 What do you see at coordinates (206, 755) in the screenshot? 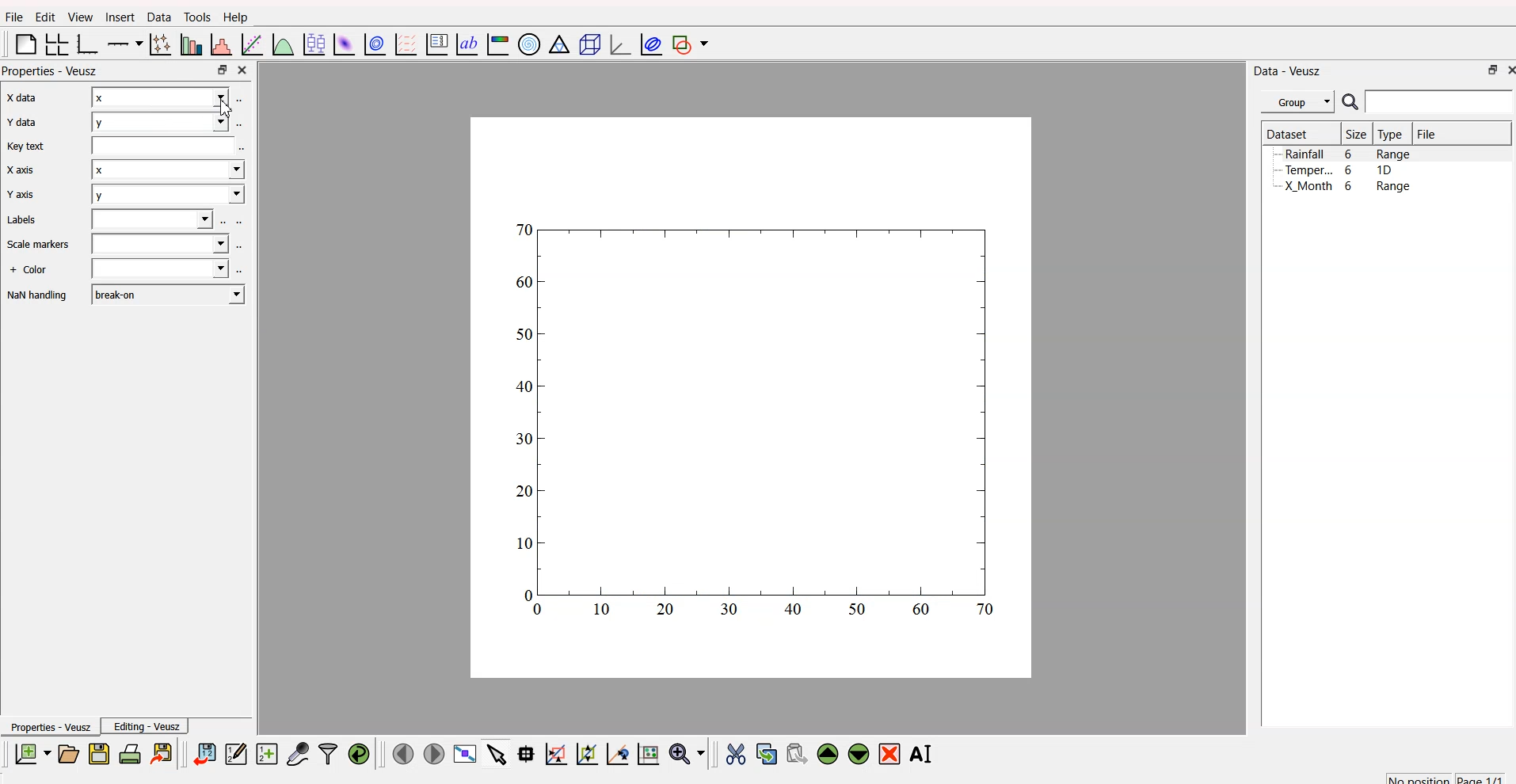
I see `import data` at bounding box center [206, 755].